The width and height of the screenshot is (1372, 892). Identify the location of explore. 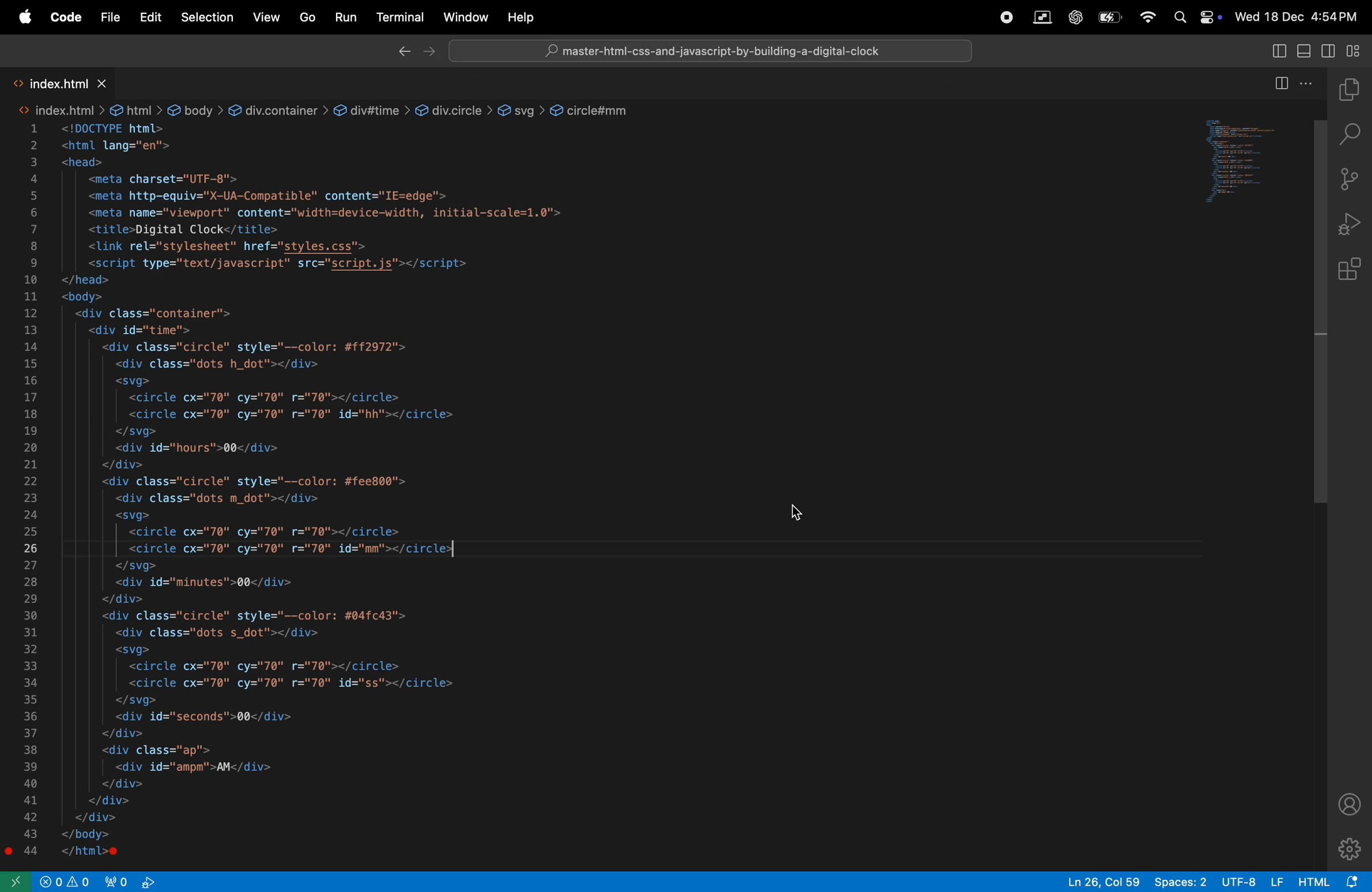
(1353, 92).